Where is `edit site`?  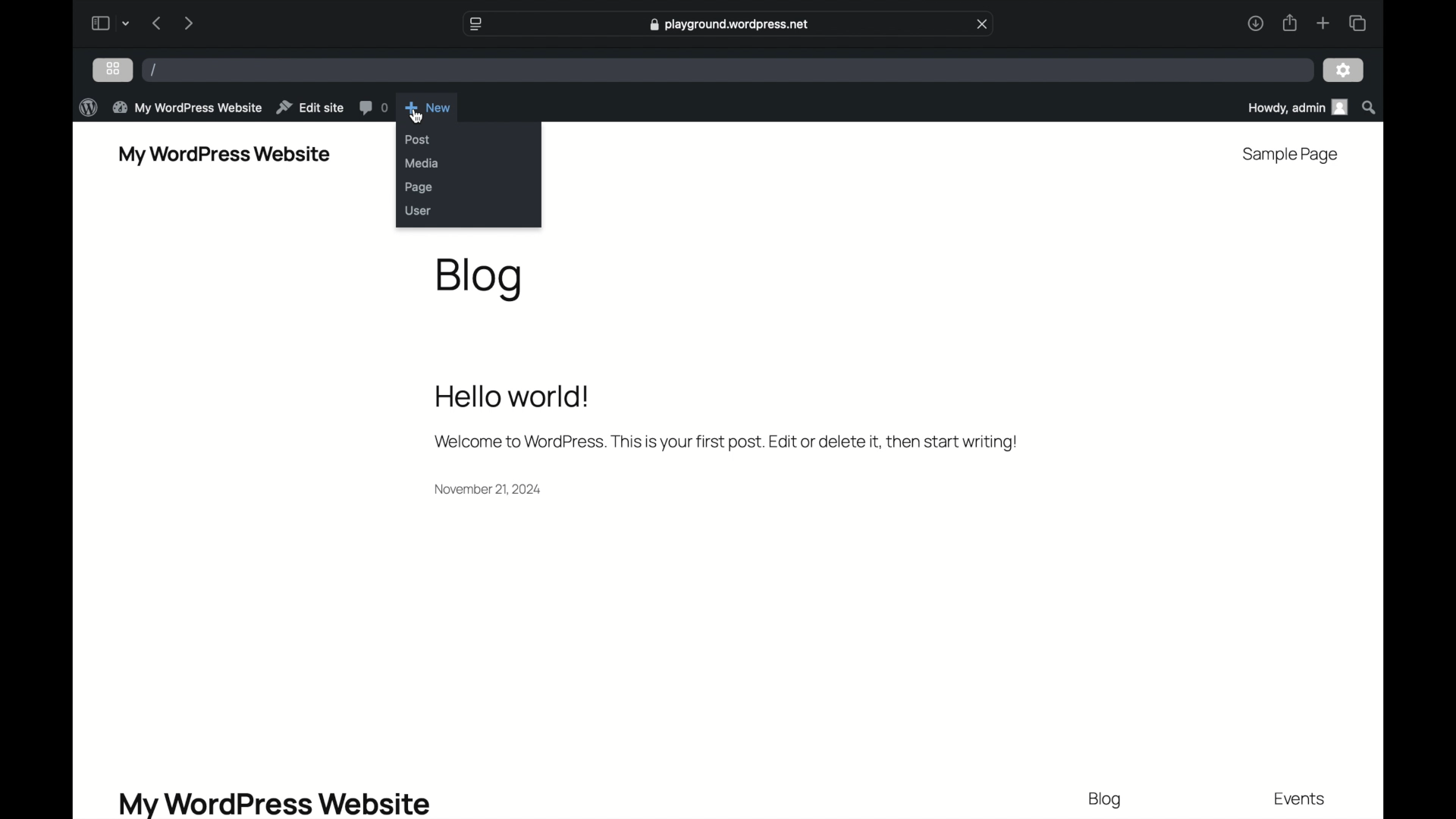
edit site is located at coordinates (311, 107).